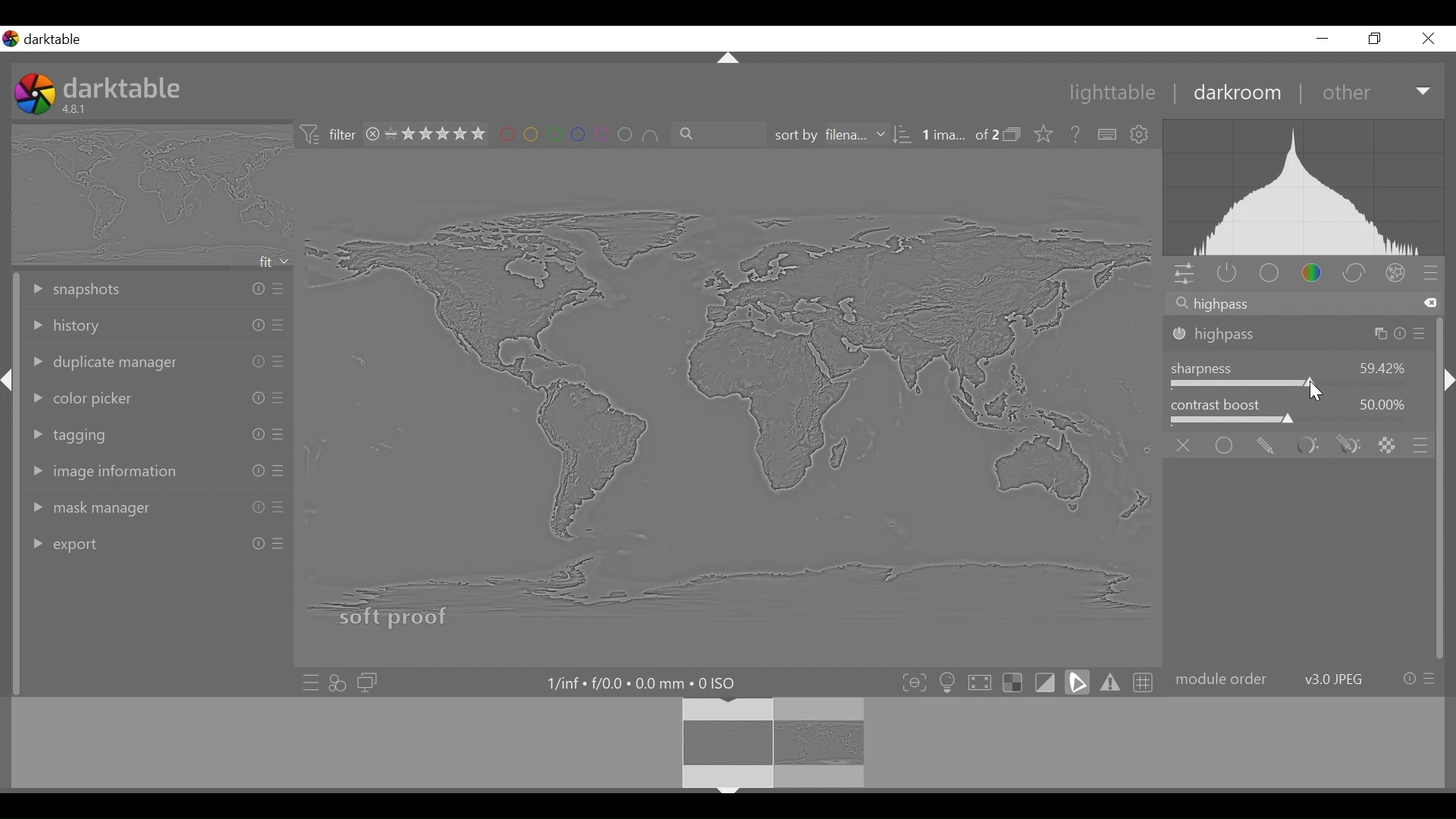 This screenshot has height=819, width=1456. What do you see at coordinates (157, 326) in the screenshot?
I see `history` at bounding box center [157, 326].